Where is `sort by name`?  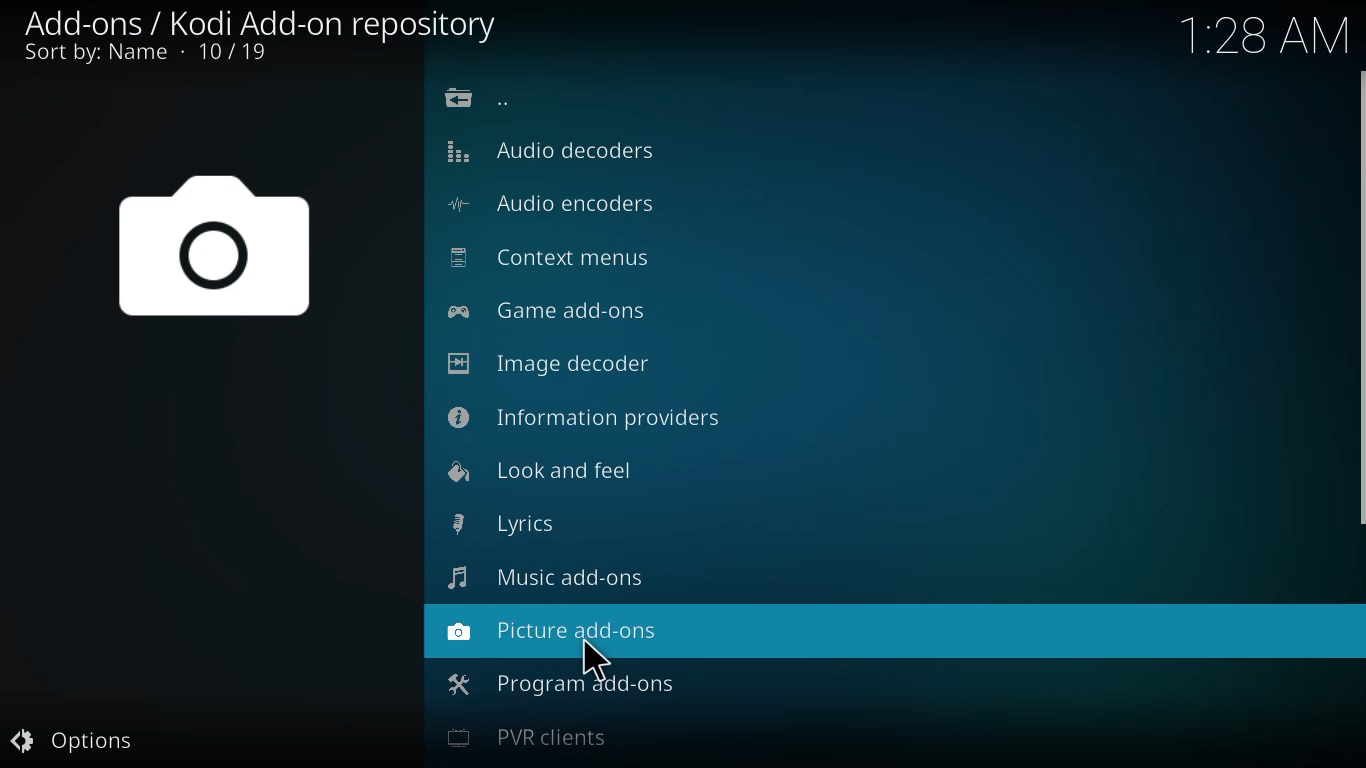 sort by name is located at coordinates (144, 55).